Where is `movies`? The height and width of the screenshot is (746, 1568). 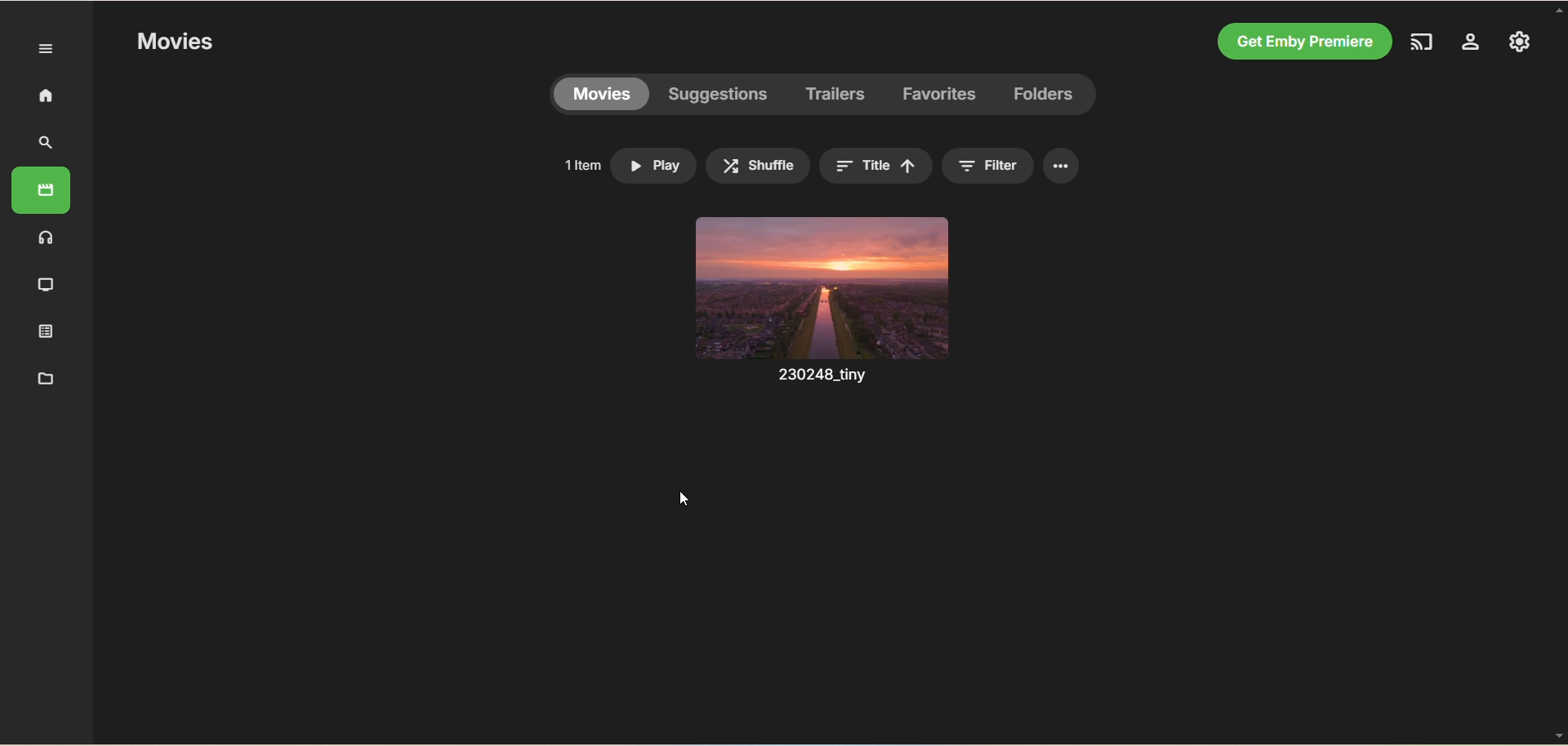
movies is located at coordinates (599, 95).